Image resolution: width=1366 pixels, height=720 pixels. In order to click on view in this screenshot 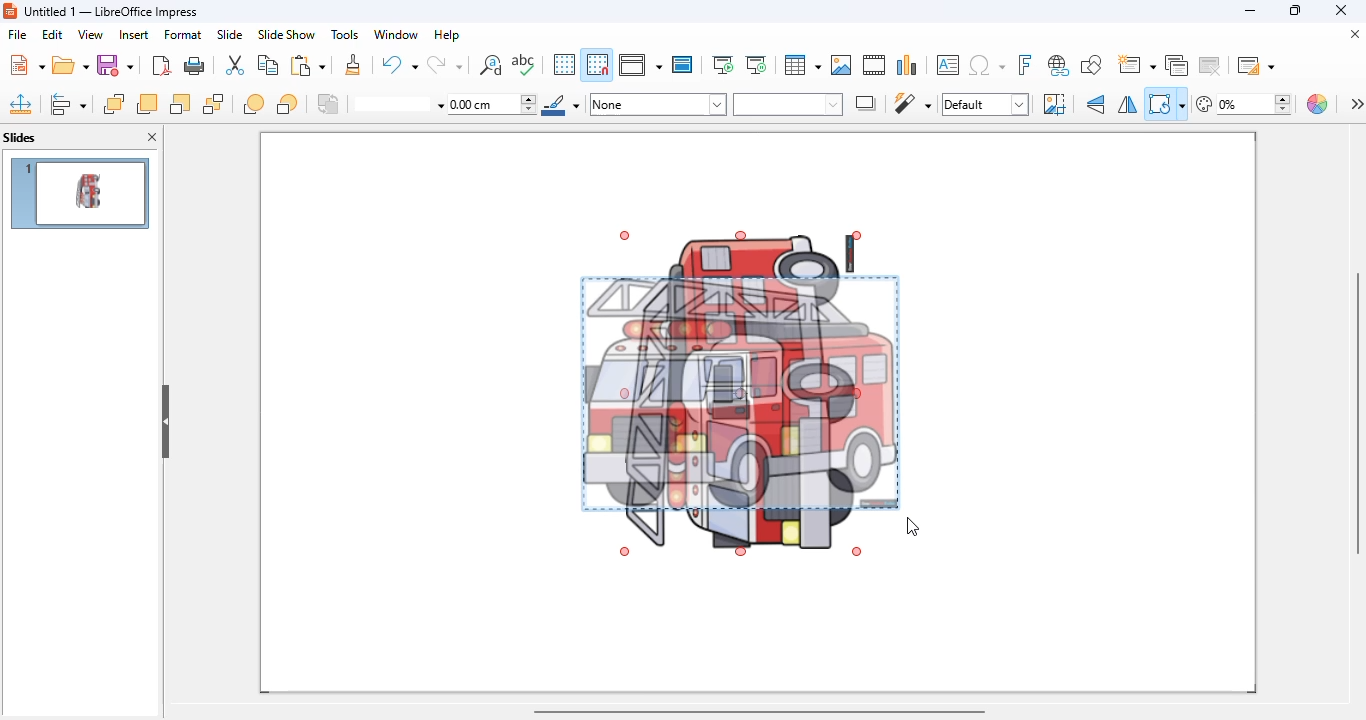, I will do `click(90, 35)`.